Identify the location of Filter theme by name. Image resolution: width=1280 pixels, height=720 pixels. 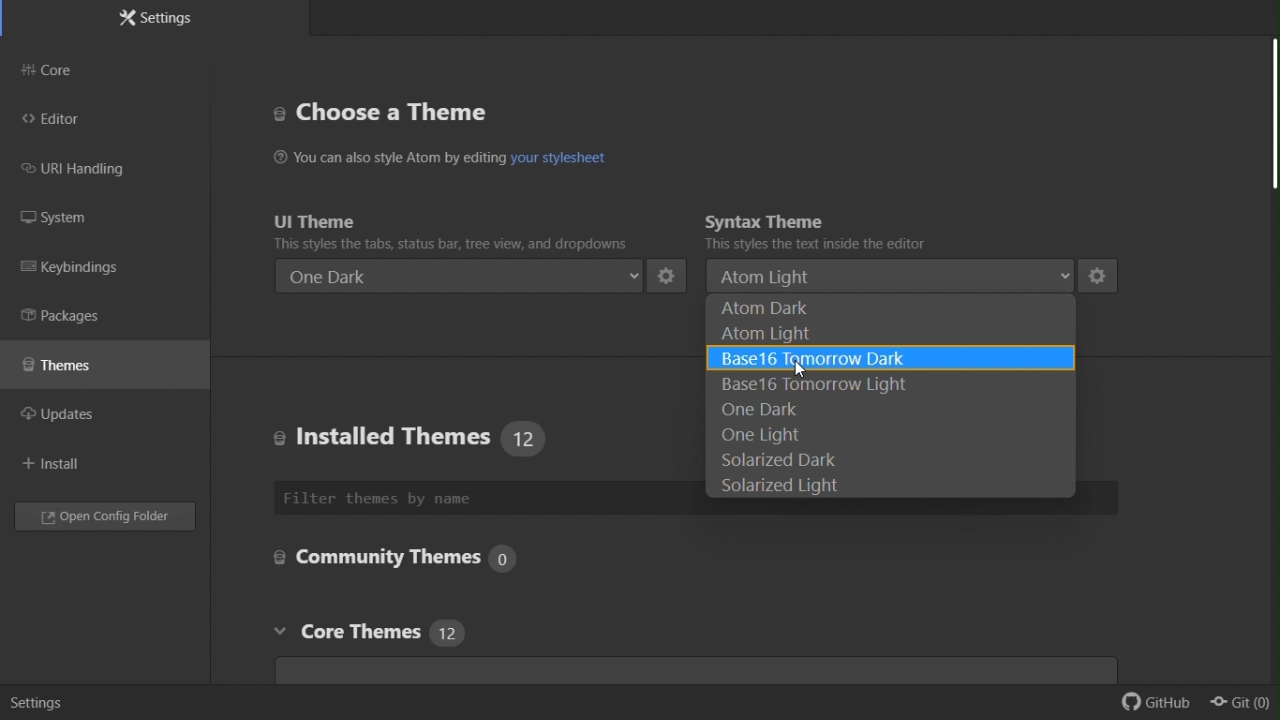
(483, 499).